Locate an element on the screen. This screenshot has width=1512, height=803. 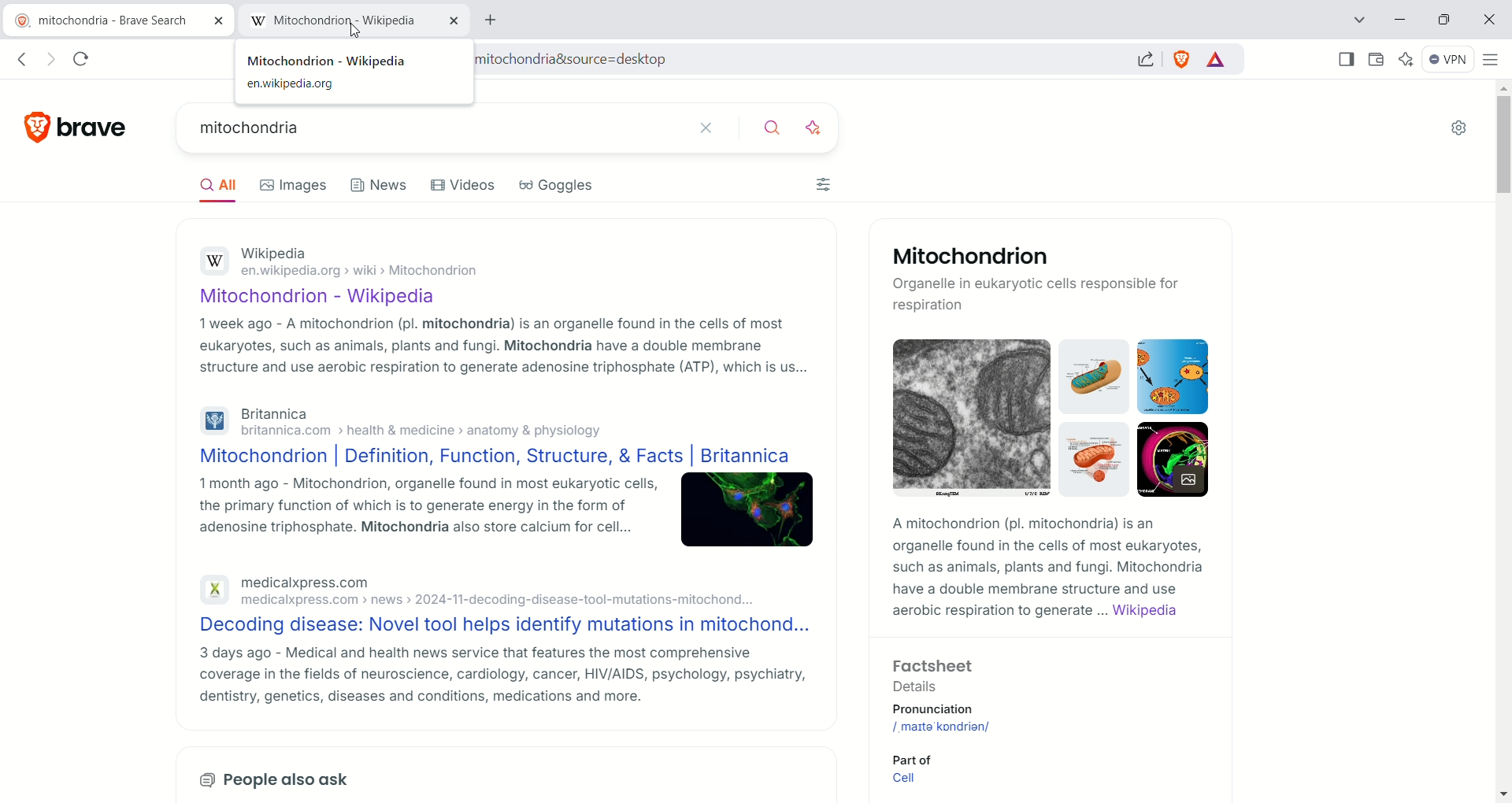
medicalxpress.com is located at coordinates (320, 582).